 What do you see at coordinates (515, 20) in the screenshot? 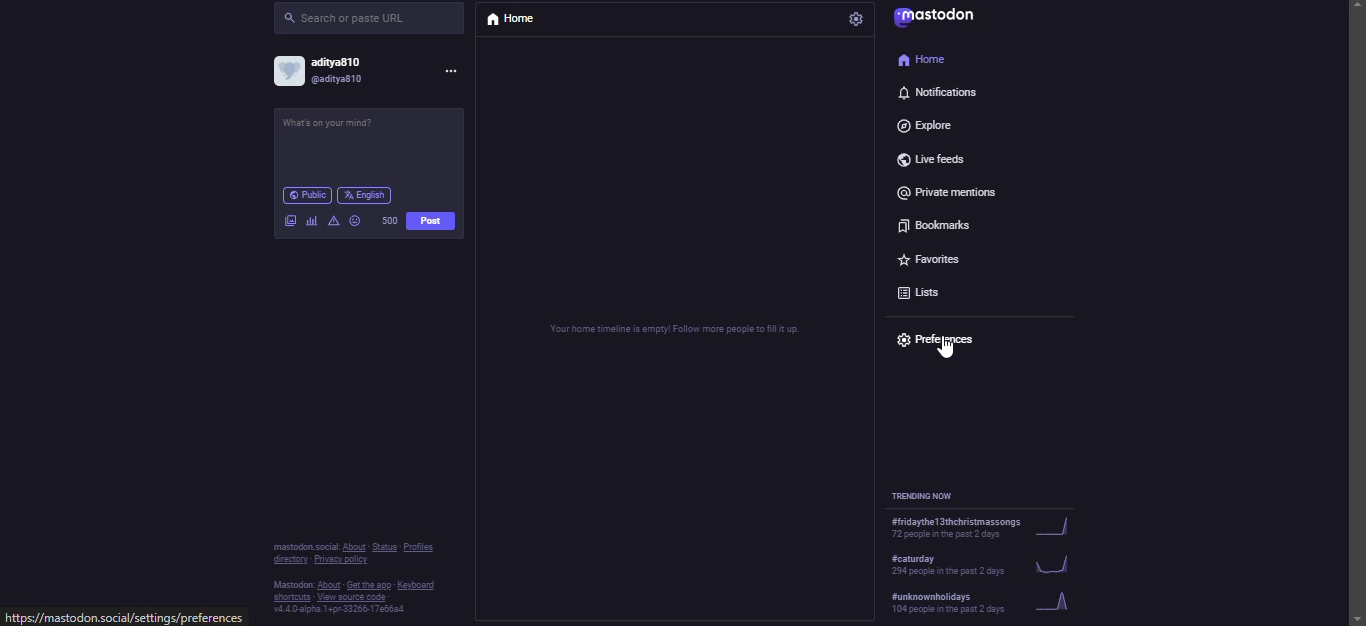
I see `home` at bounding box center [515, 20].